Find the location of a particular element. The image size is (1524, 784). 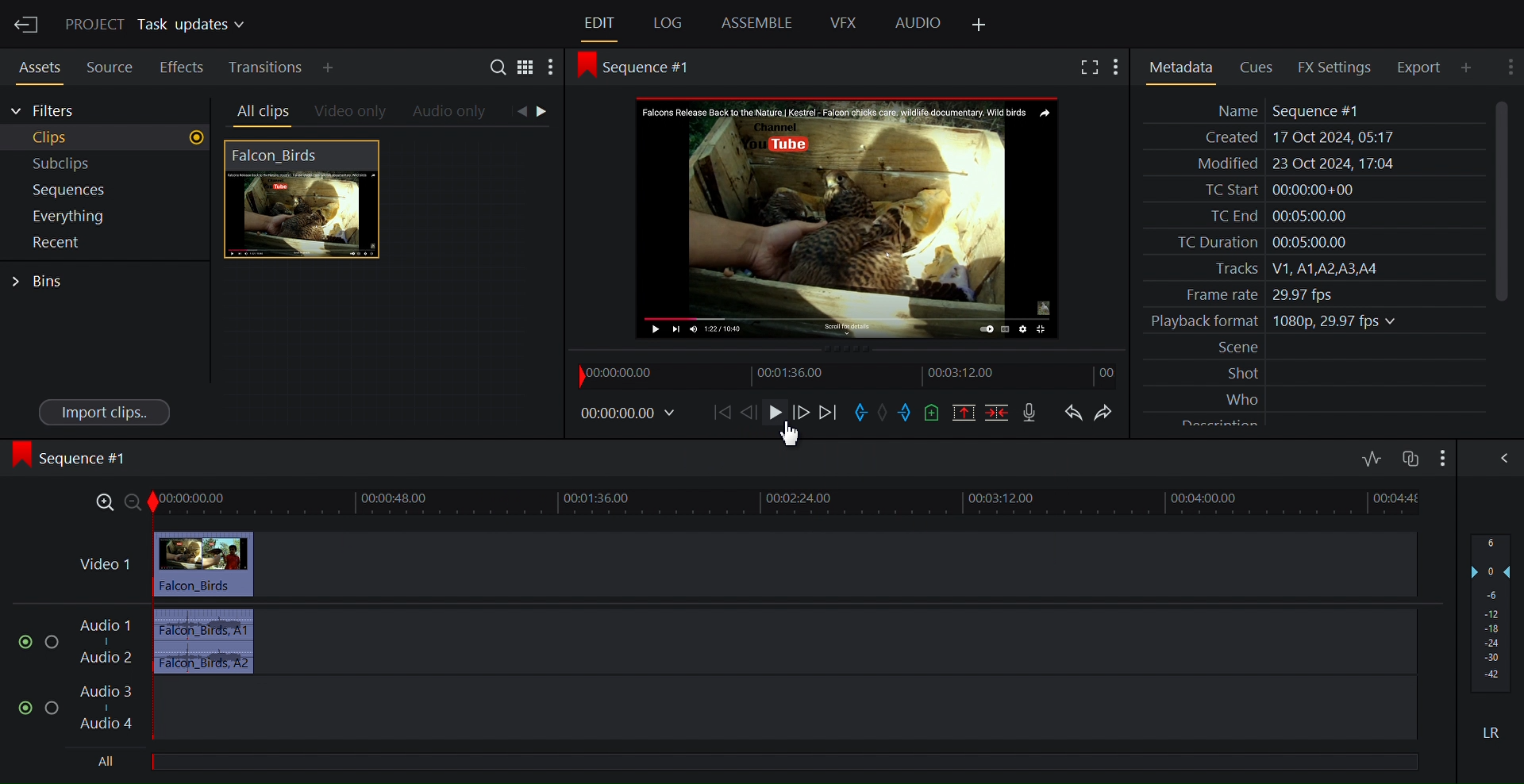

Audio is located at coordinates (918, 24).